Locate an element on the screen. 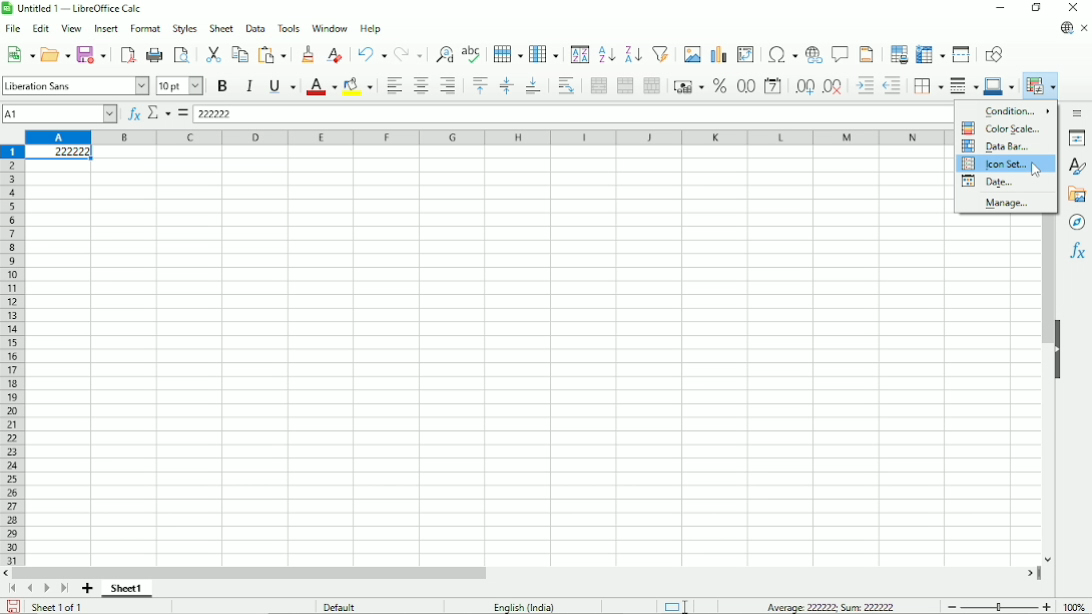 This screenshot has width=1092, height=614. Clear direct formatting is located at coordinates (335, 54).